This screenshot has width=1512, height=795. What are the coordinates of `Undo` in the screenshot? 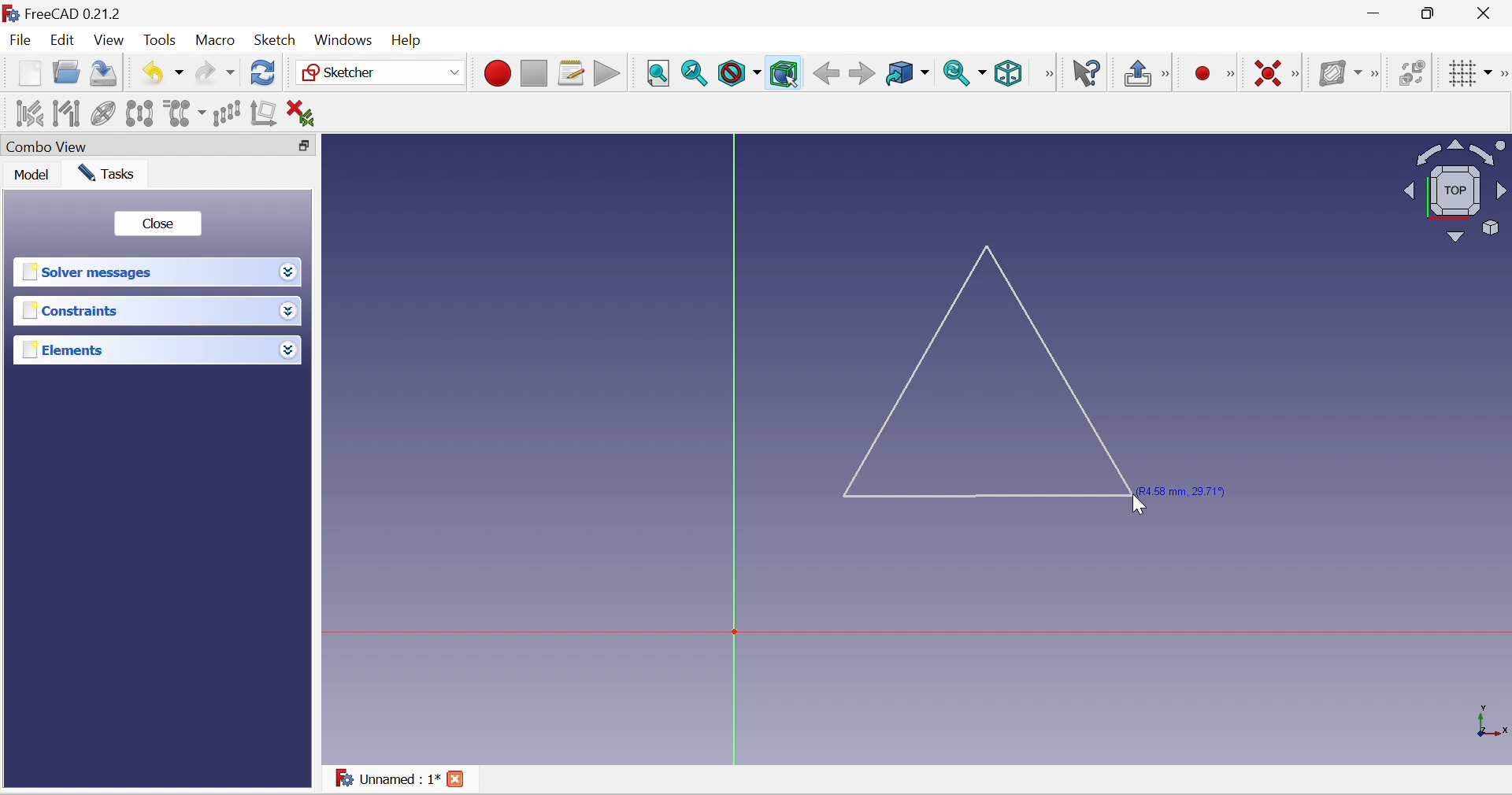 It's located at (161, 74).